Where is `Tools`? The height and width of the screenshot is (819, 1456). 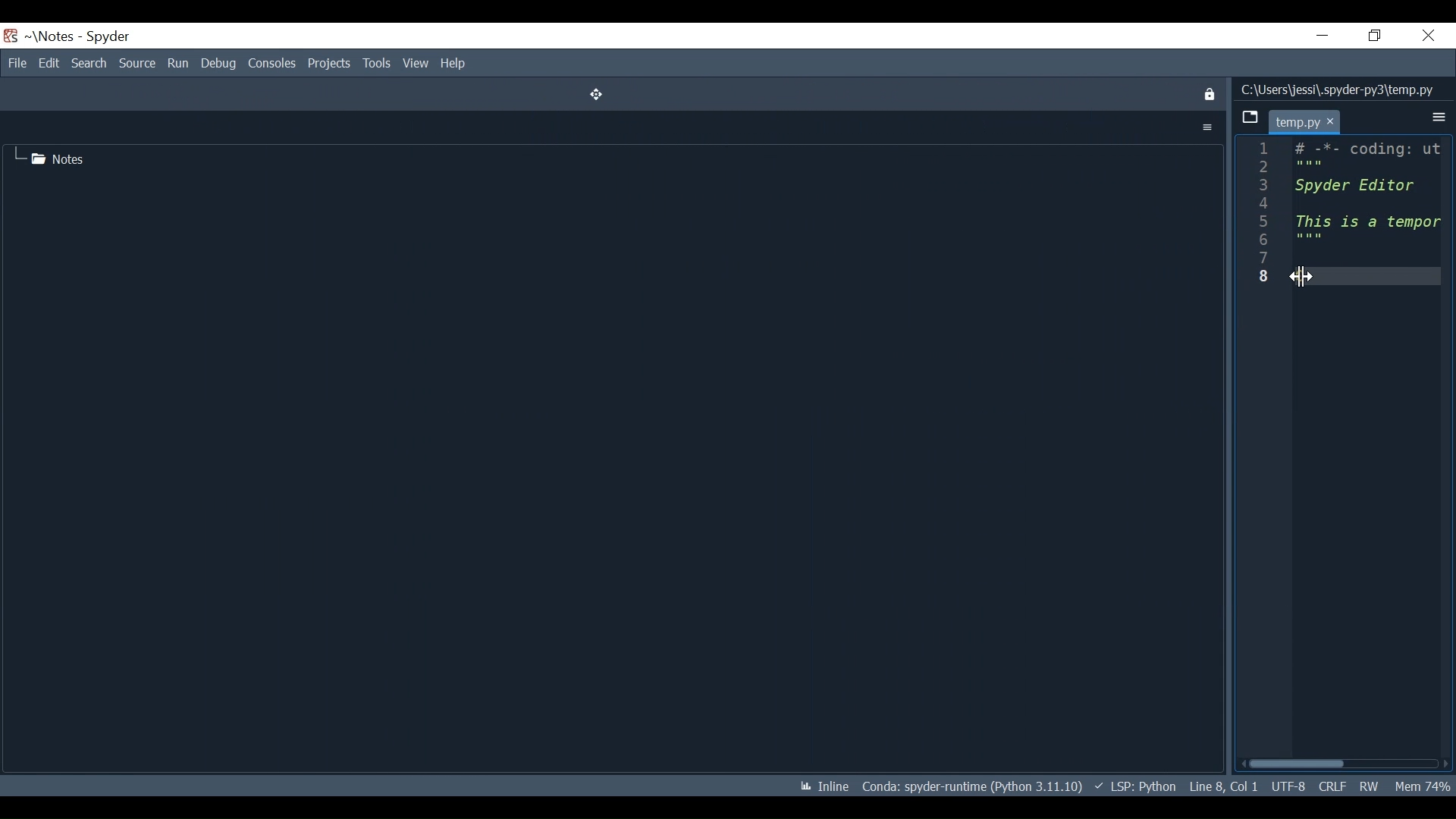 Tools is located at coordinates (377, 64).